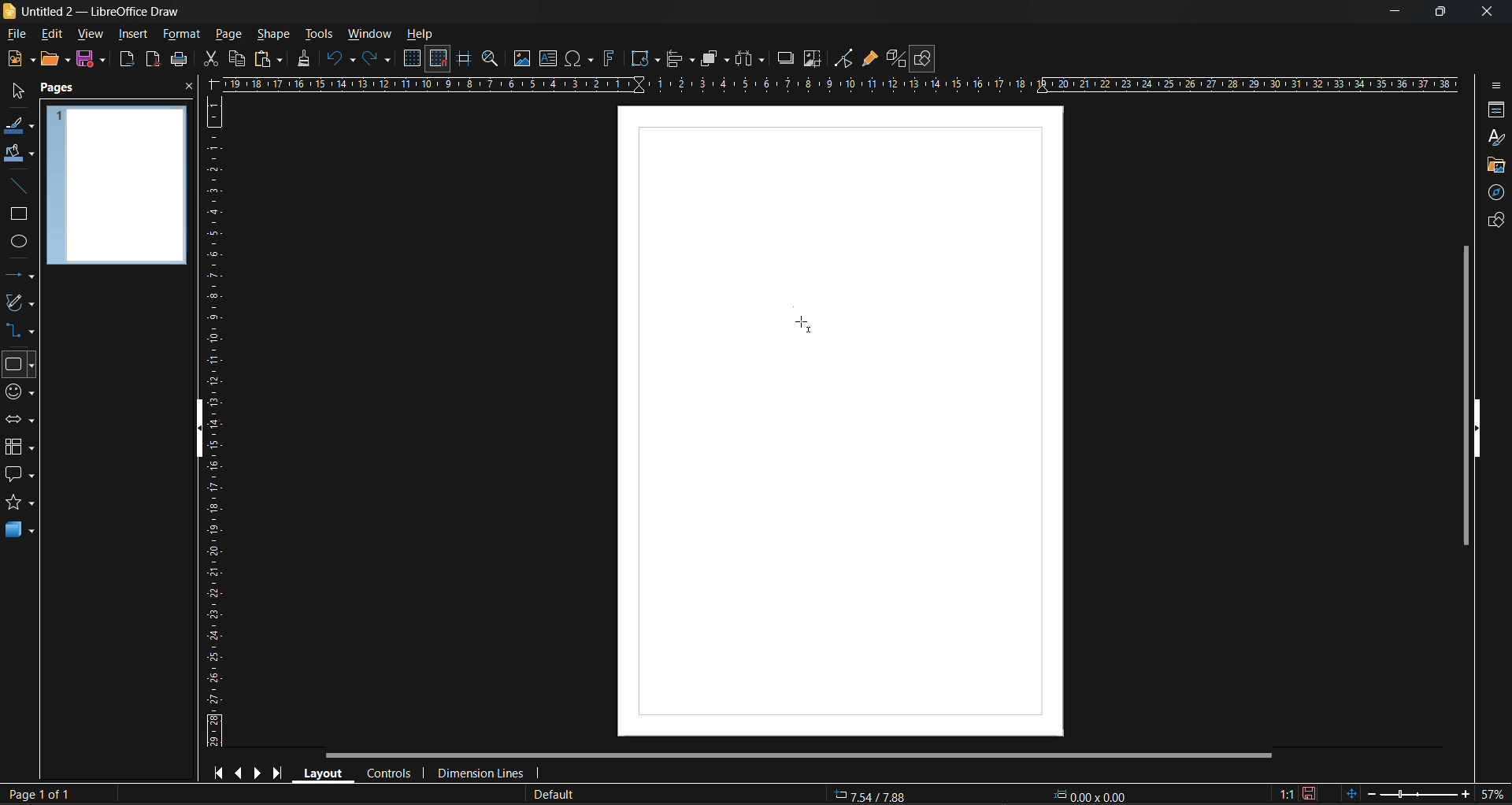 This screenshot has width=1512, height=805. What do you see at coordinates (480, 774) in the screenshot?
I see `dimension lines` at bounding box center [480, 774].